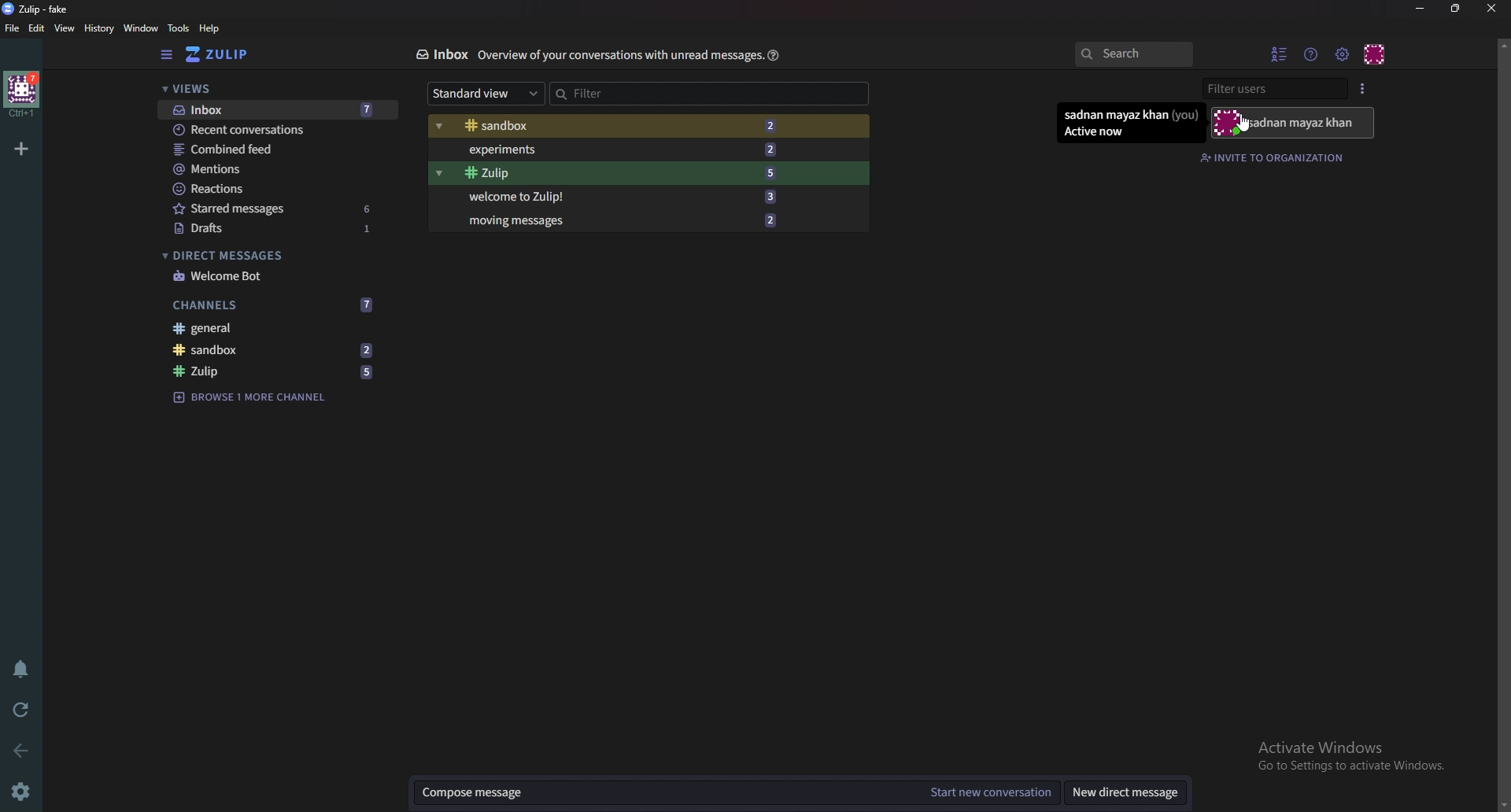 This screenshot has height=812, width=1511. I want to click on Minimize, so click(1420, 9).